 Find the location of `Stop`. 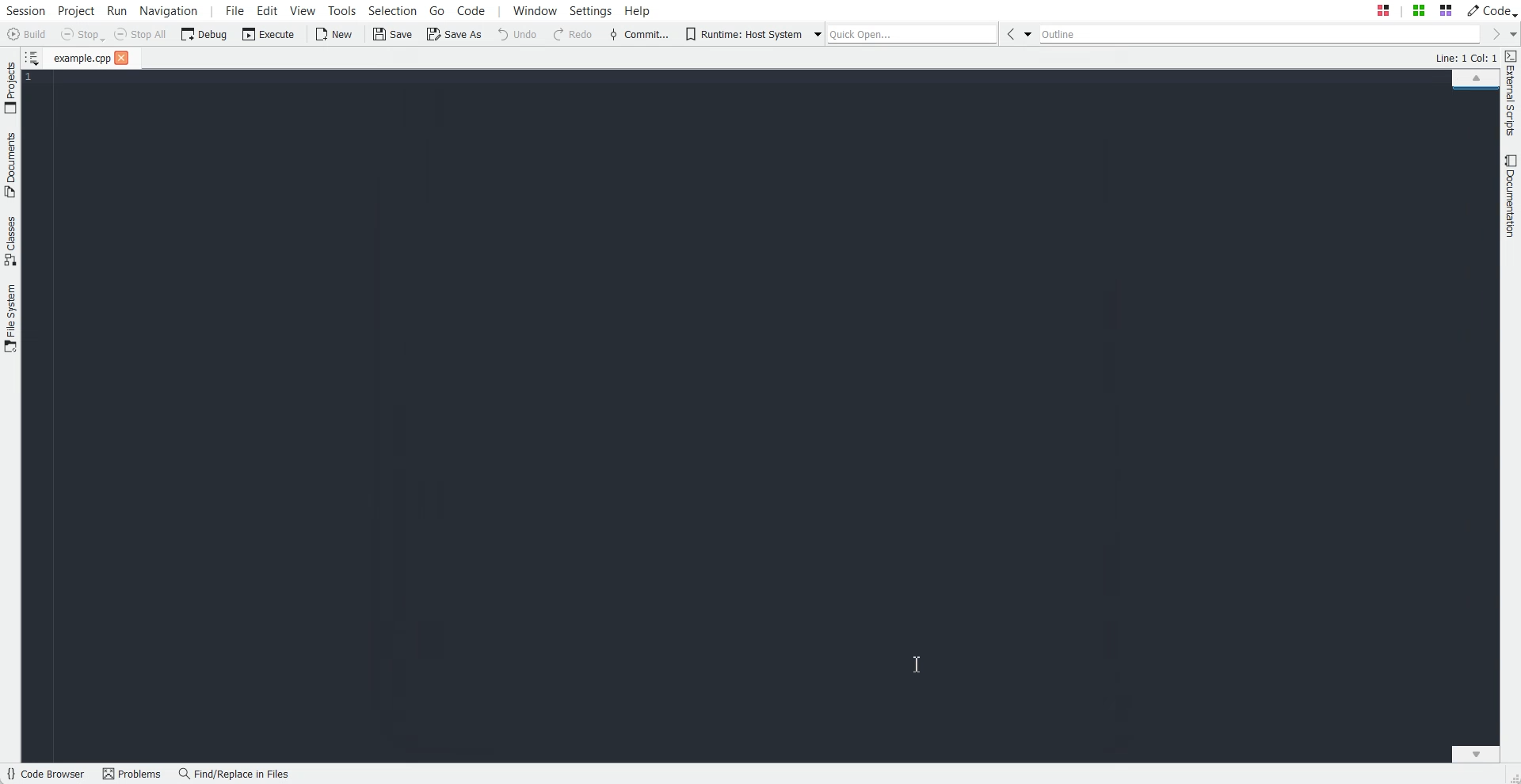

Stop is located at coordinates (82, 35).